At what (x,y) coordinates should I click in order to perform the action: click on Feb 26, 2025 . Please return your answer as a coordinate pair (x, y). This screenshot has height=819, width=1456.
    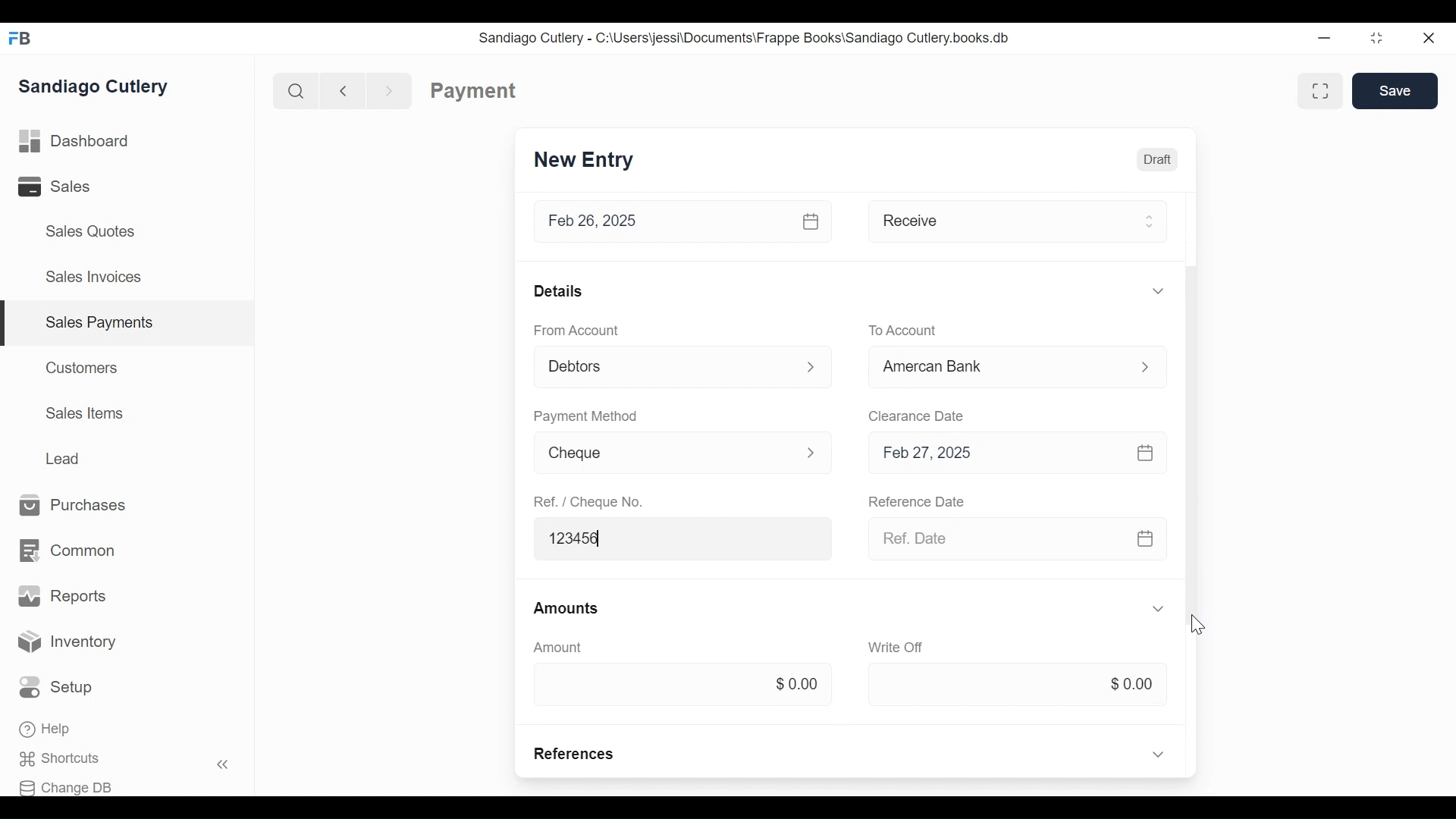
    Looking at the image, I should click on (662, 221).